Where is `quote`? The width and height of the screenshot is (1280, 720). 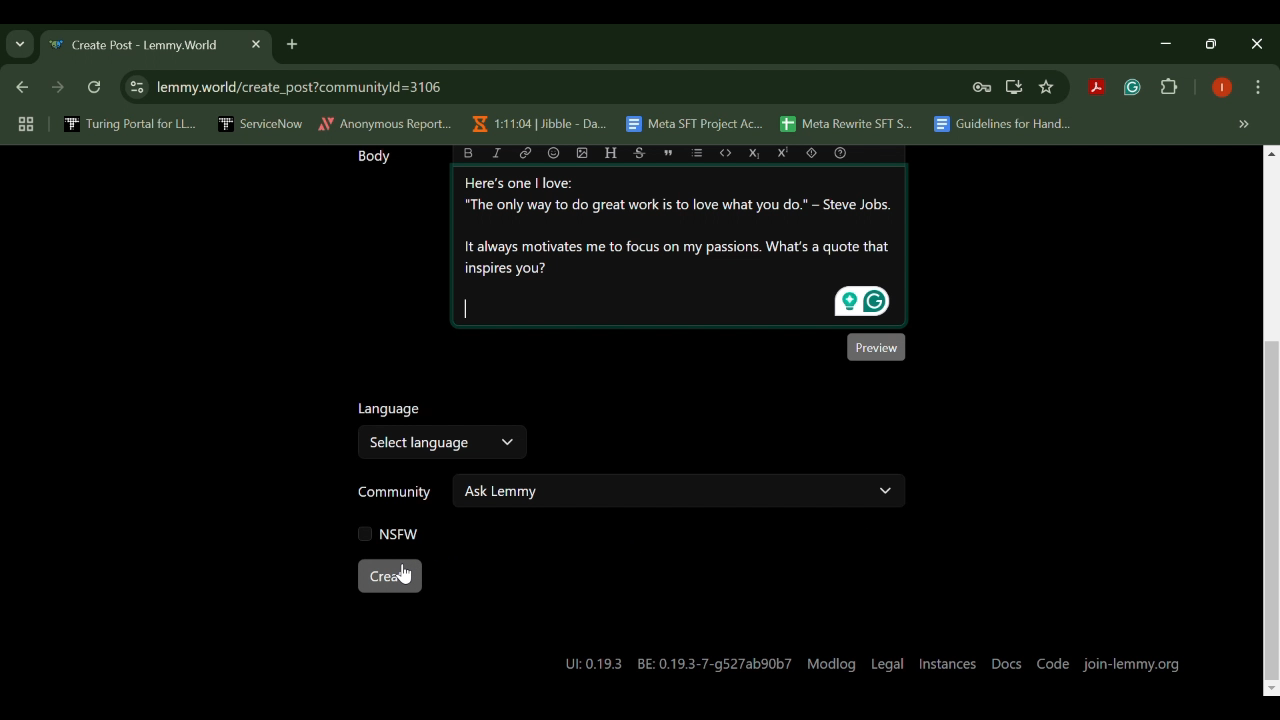 quote is located at coordinates (666, 152).